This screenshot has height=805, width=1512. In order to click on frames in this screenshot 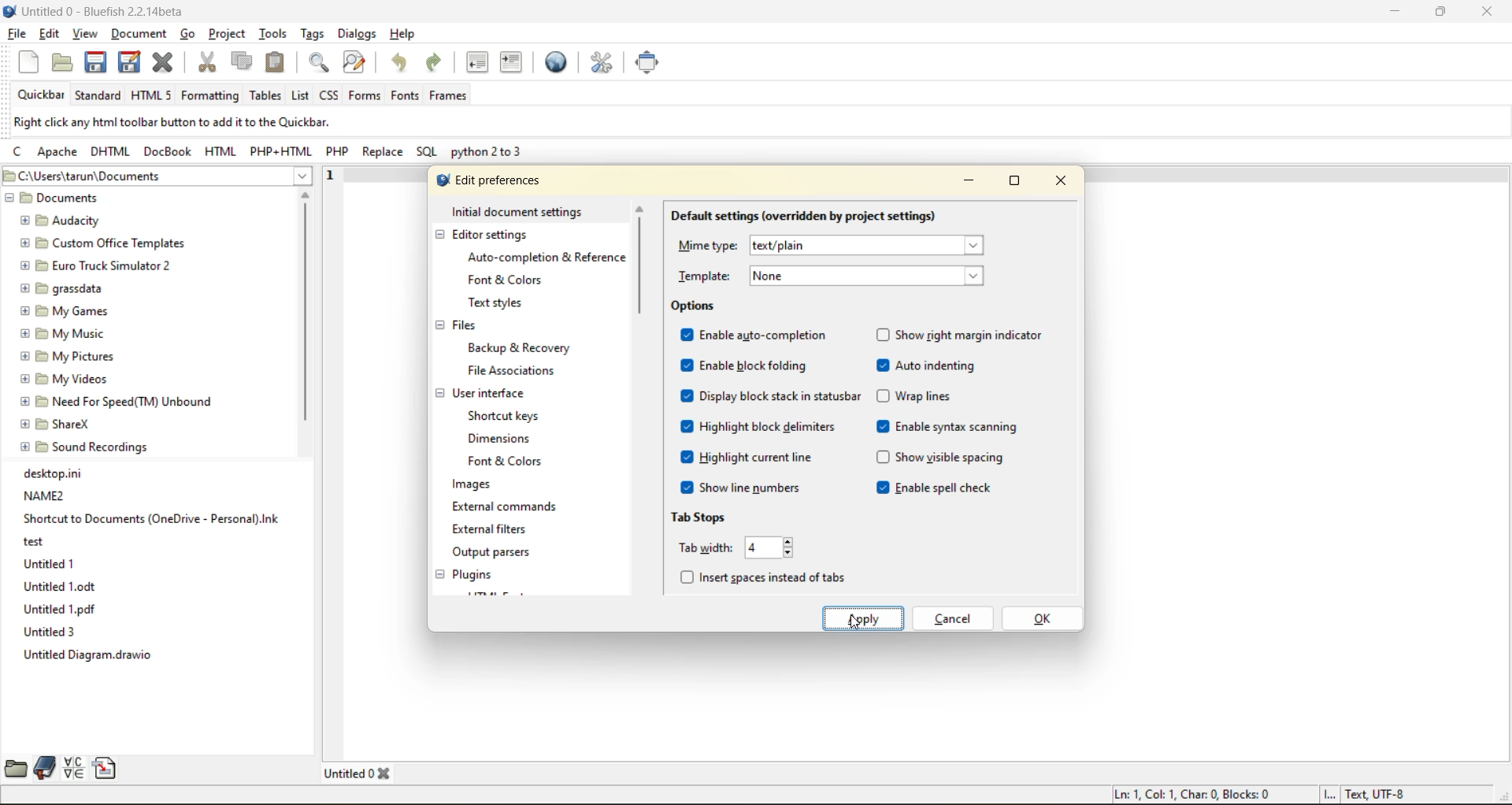, I will do `click(449, 97)`.